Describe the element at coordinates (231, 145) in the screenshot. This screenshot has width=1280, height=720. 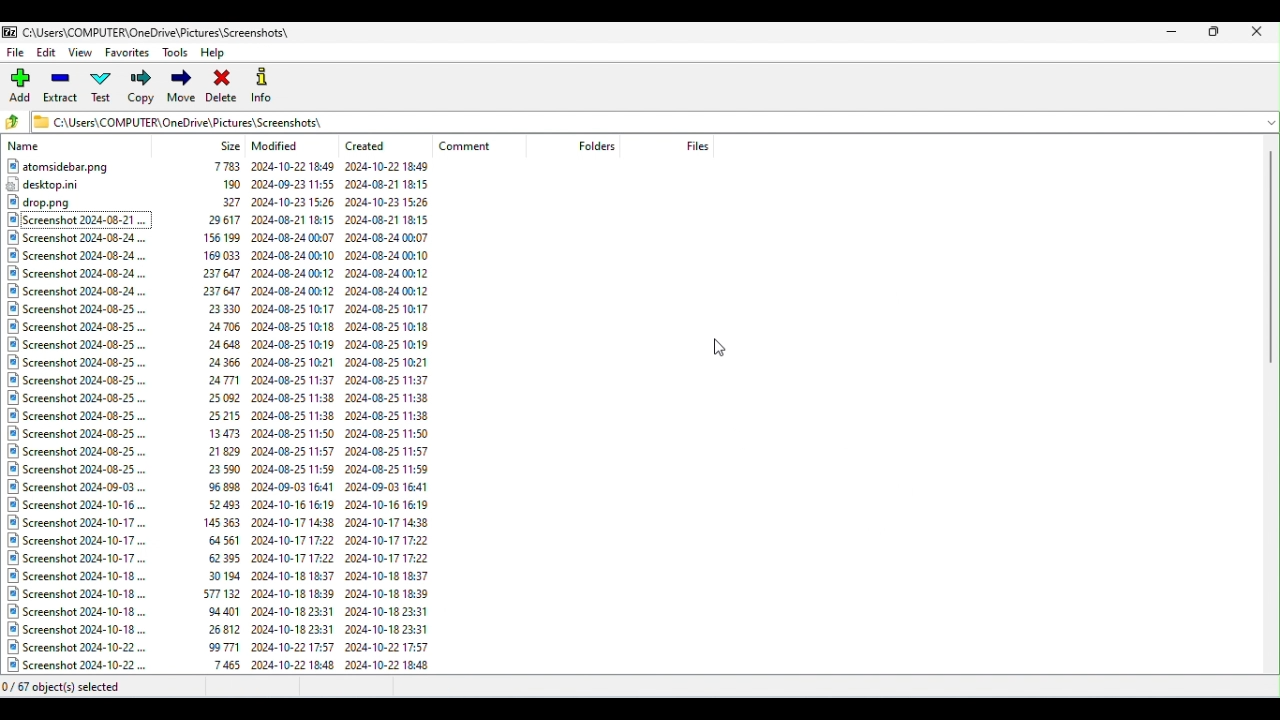
I see `Size` at that location.